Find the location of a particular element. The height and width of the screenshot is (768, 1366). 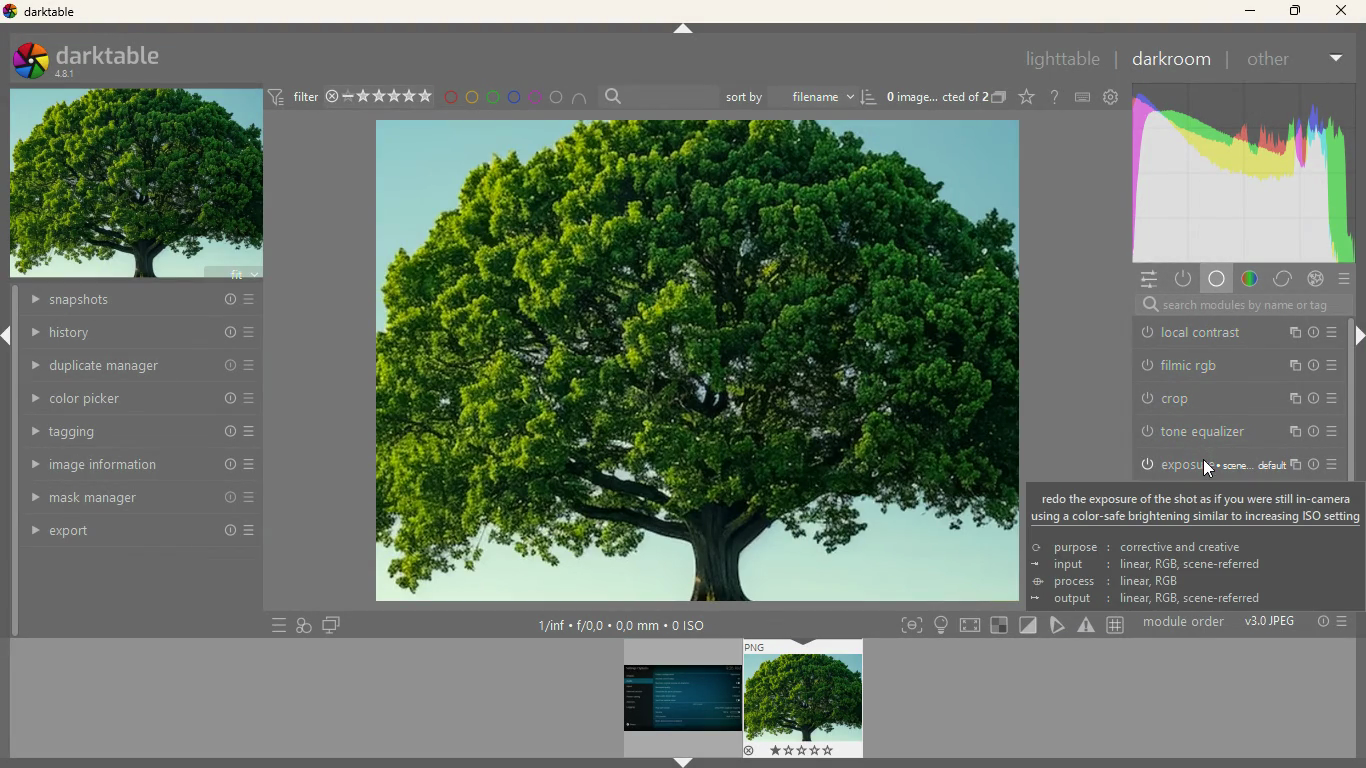

green circle is located at coordinates (491, 97).